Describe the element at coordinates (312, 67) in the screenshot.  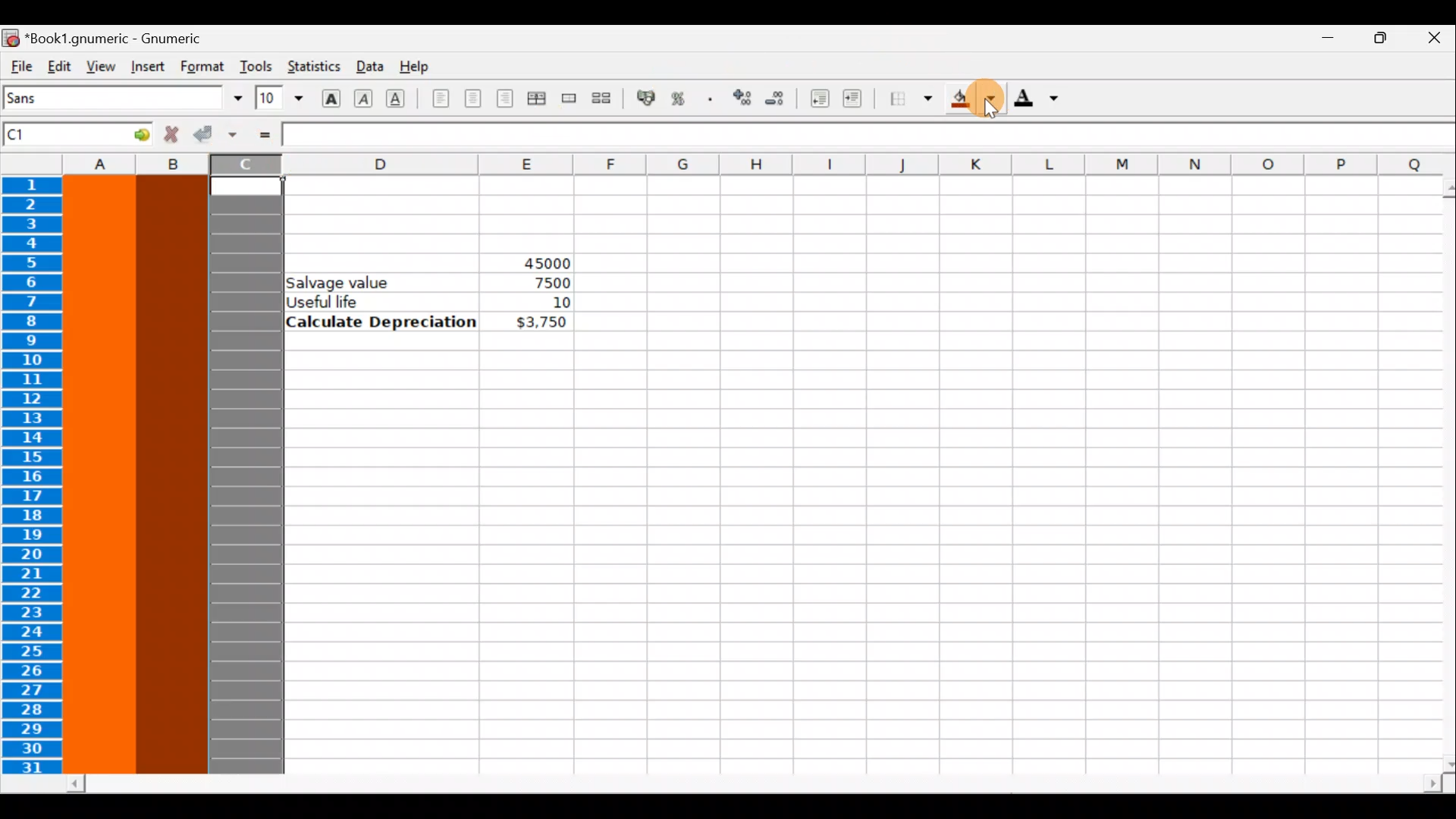
I see `Statistics` at that location.